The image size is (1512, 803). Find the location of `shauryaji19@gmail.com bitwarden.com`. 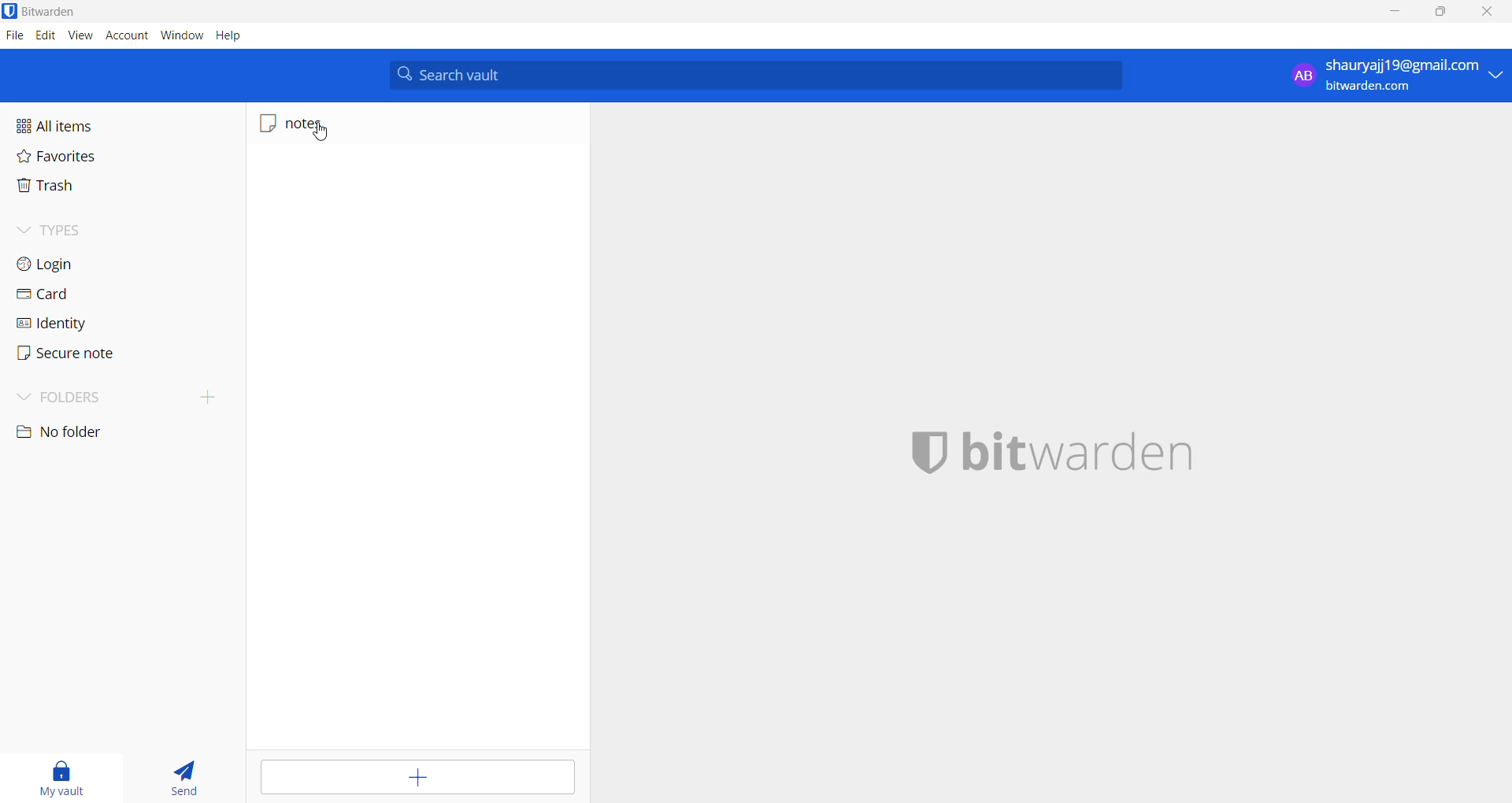

shauryaji19@gmail.com bitwarden.com is located at coordinates (1390, 76).